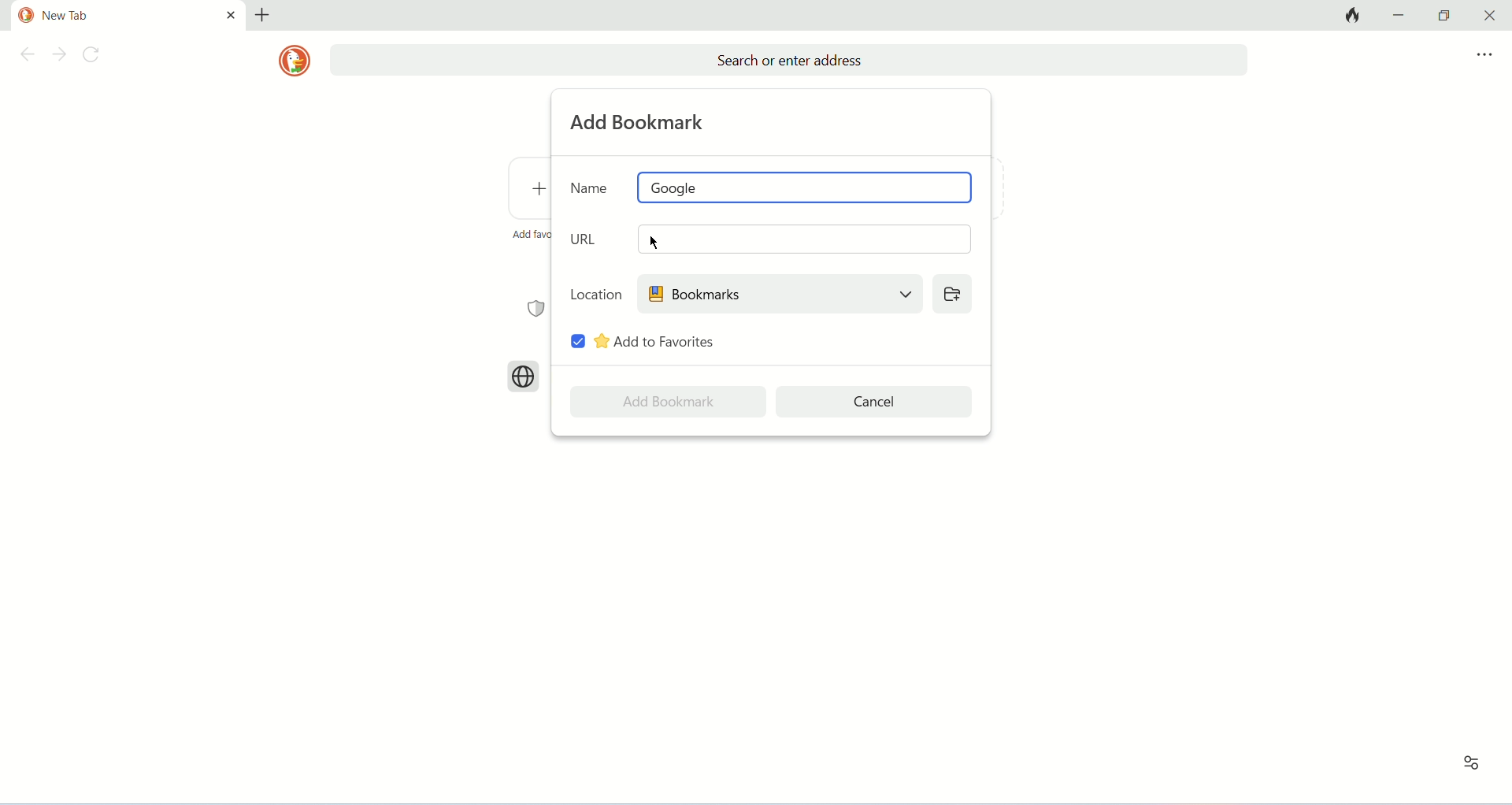 This screenshot has width=1512, height=805. What do you see at coordinates (294, 61) in the screenshot?
I see `logo` at bounding box center [294, 61].